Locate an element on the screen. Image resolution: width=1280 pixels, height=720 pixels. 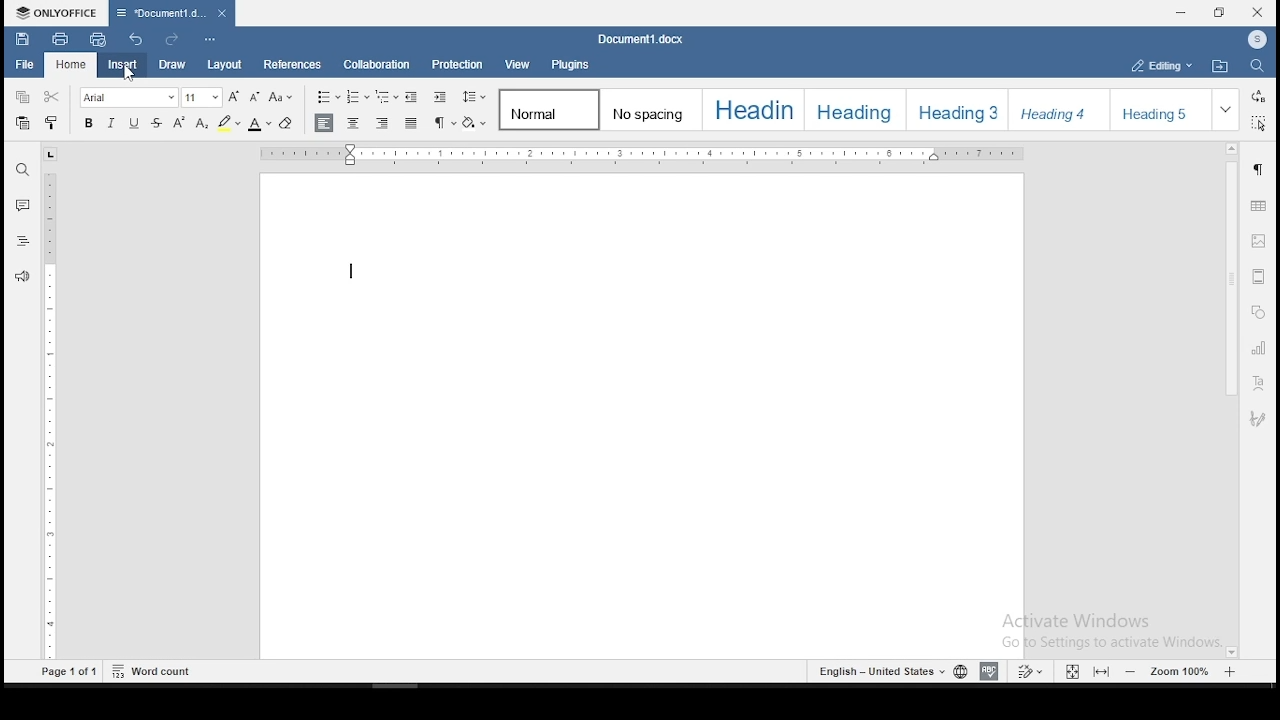
restore is located at coordinates (1219, 13).